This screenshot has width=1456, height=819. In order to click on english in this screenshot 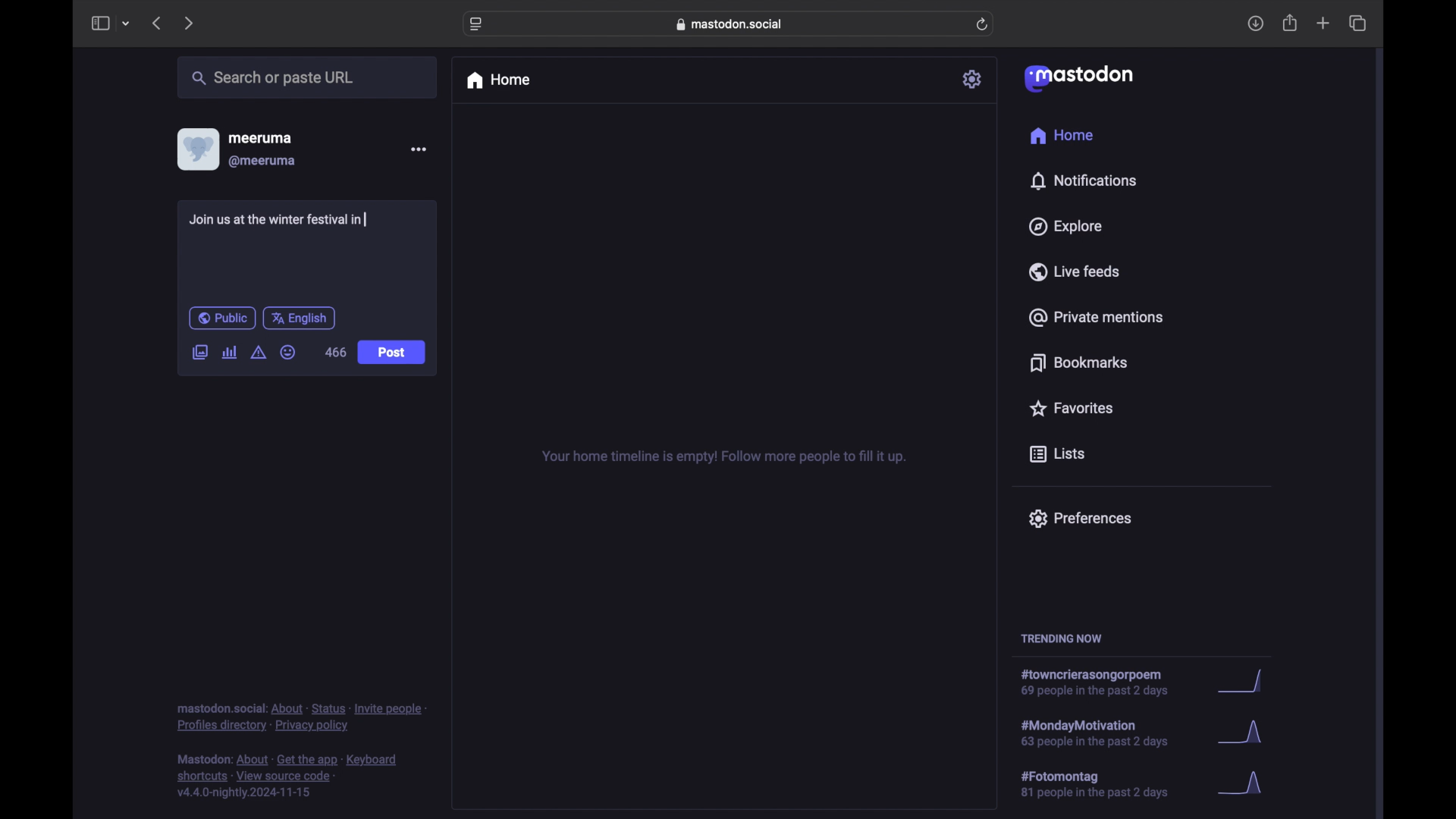, I will do `click(300, 318)`.